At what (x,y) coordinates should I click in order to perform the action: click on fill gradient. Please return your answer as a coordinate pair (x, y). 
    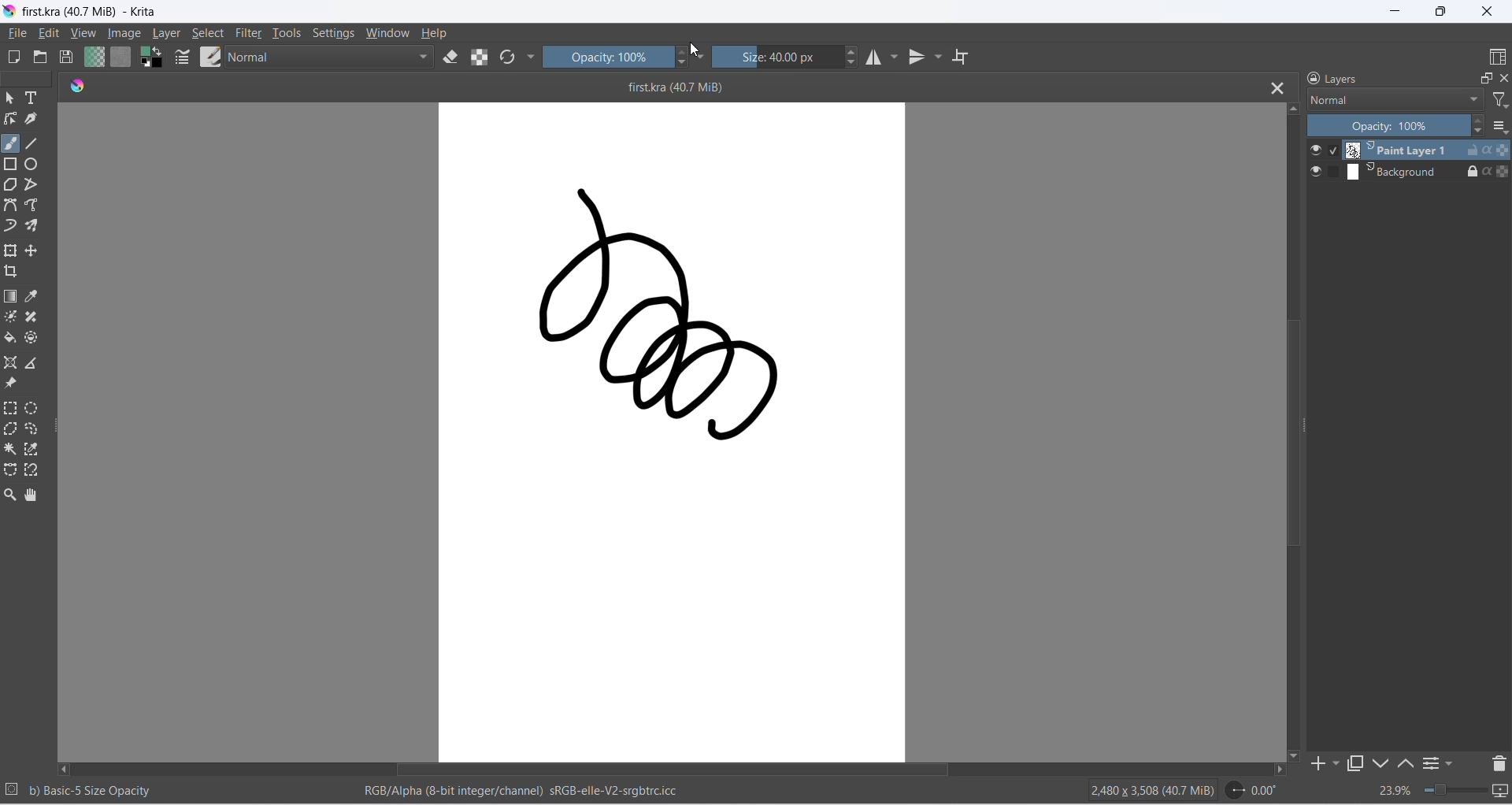
    Looking at the image, I should click on (93, 57).